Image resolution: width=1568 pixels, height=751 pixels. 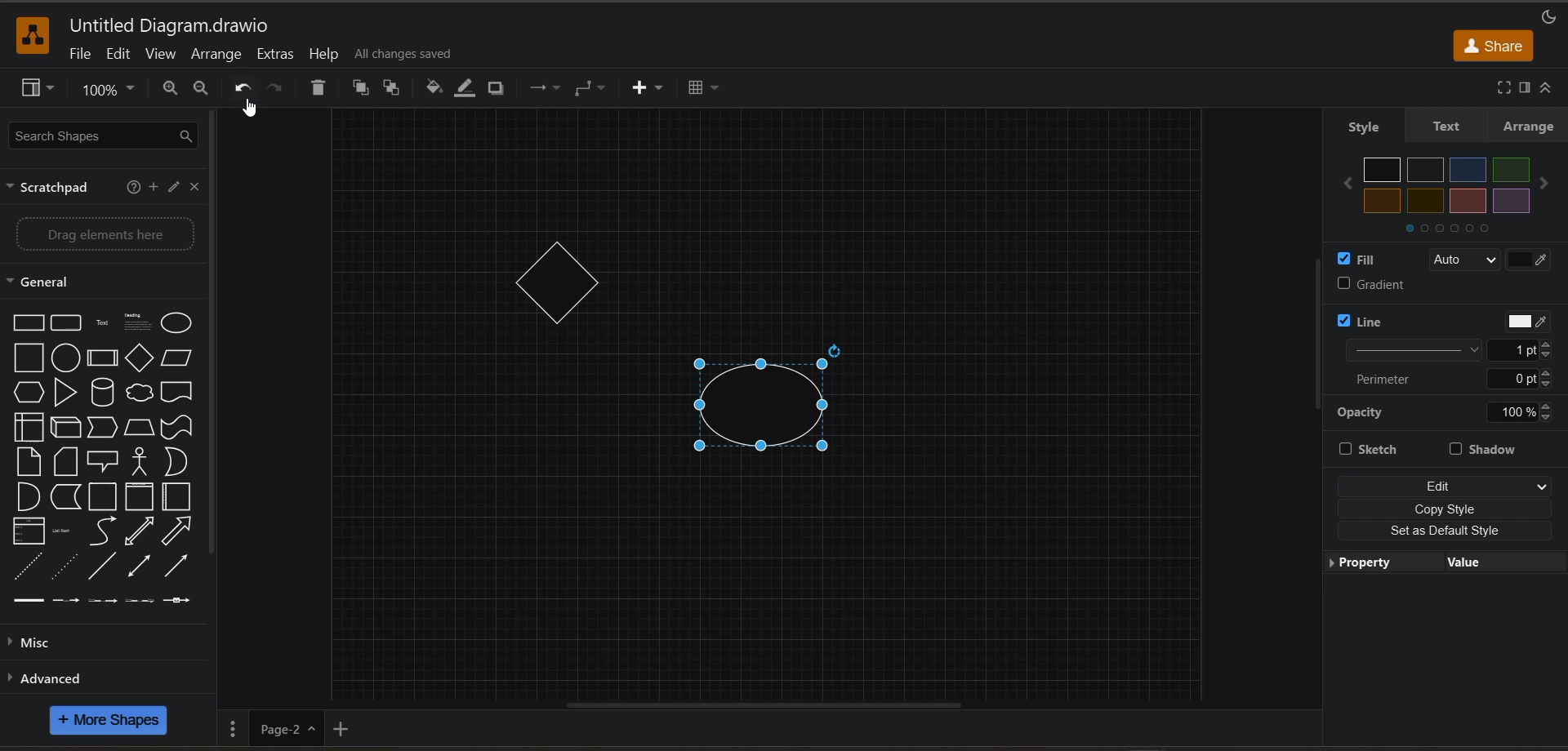 What do you see at coordinates (141, 358) in the screenshot?
I see `Diamond` at bounding box center [141, 358].